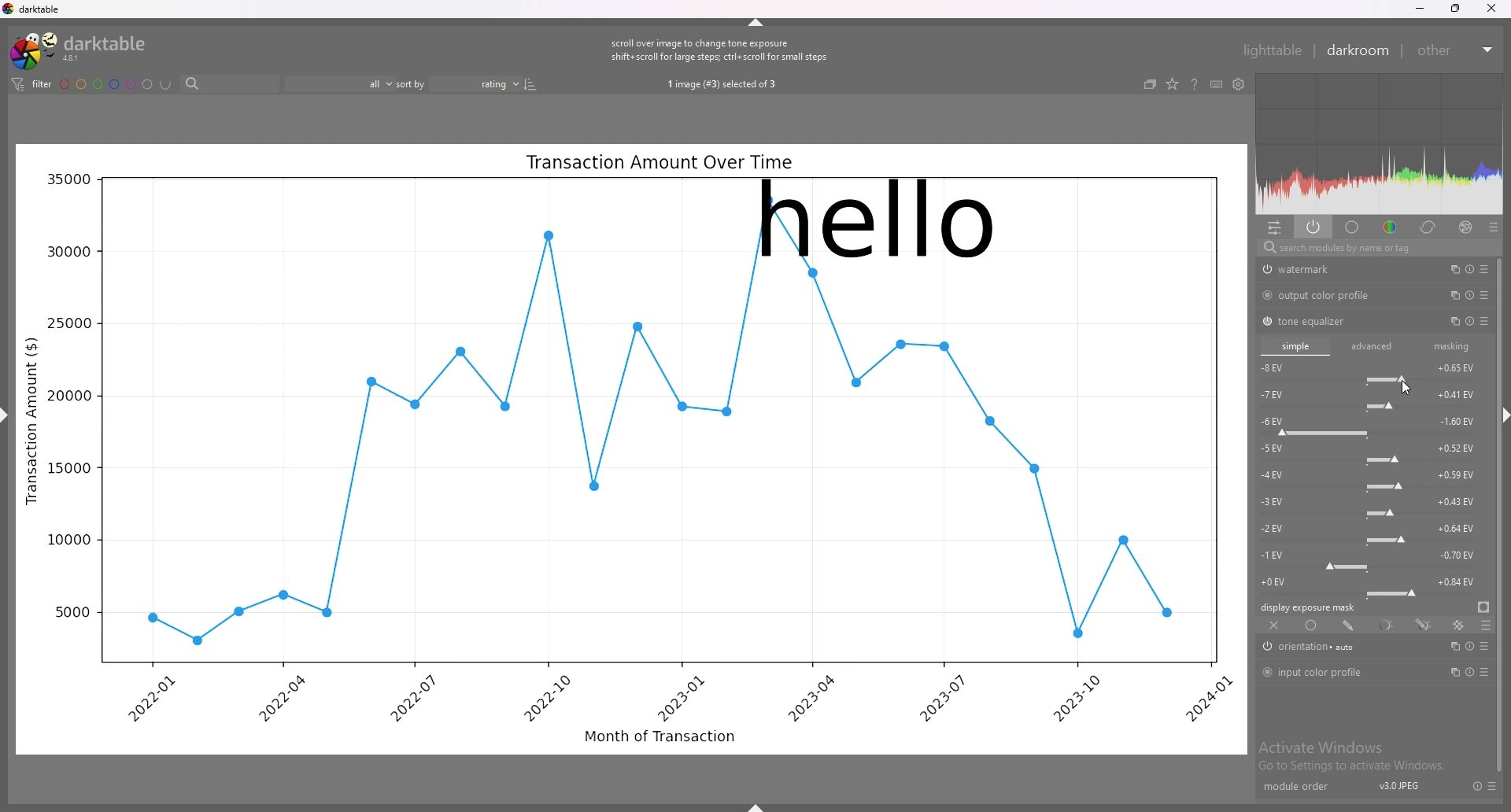 This screenshot has height=812, width=1511. Describe the element at coordinates (31, 86) in the screenshot. I see `filter` at that location.